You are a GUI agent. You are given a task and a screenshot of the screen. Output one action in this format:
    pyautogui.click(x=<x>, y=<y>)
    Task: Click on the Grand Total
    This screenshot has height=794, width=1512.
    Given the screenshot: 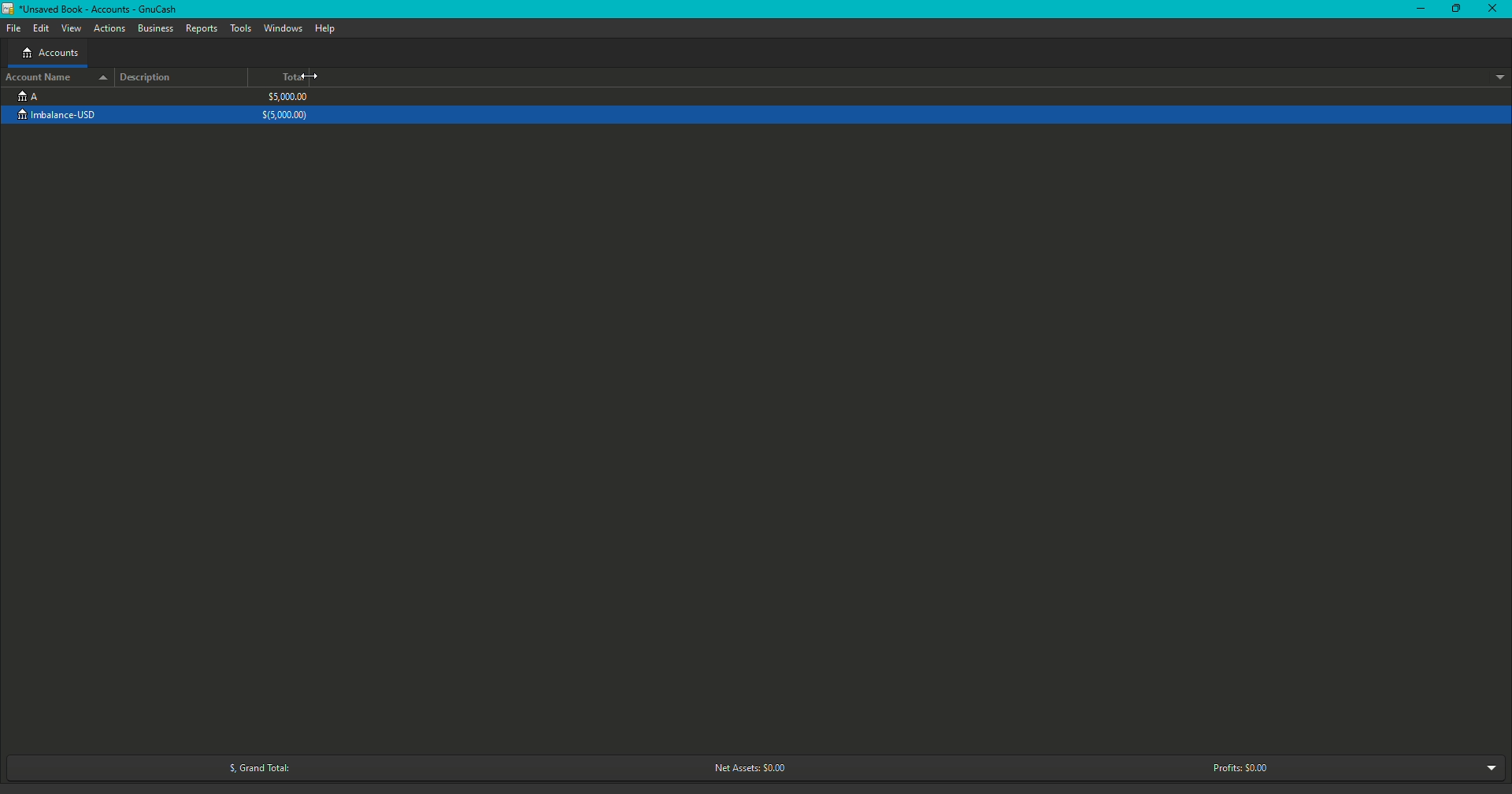 What is the action you would take?
    pyautogui.click(x=254, y=768)
    